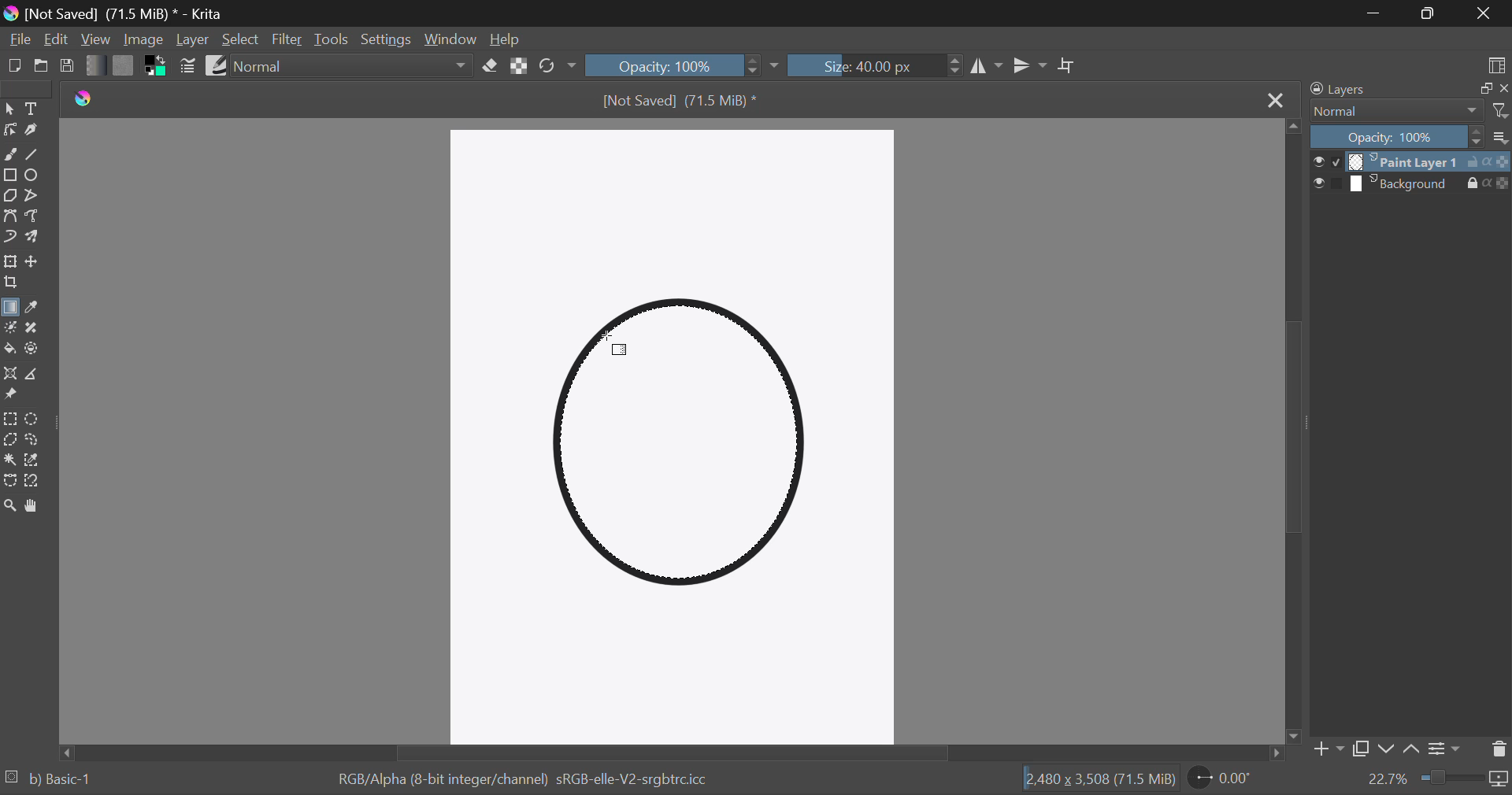  I want to click on Circular Selection, so click(35, 417).